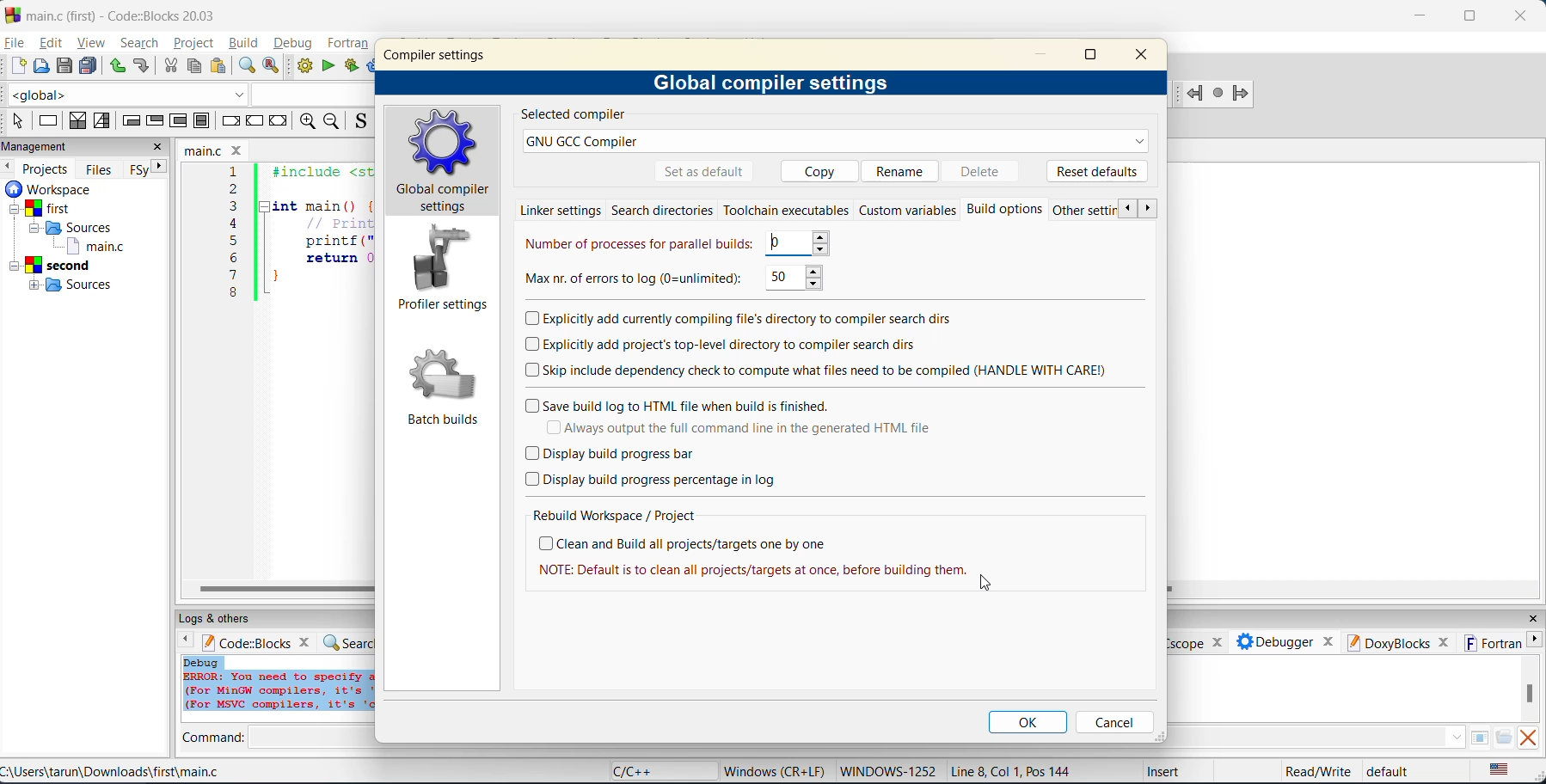  Describe the element at coordinates (572, 115) in the screenshot. I see `selected compiler` at that location.